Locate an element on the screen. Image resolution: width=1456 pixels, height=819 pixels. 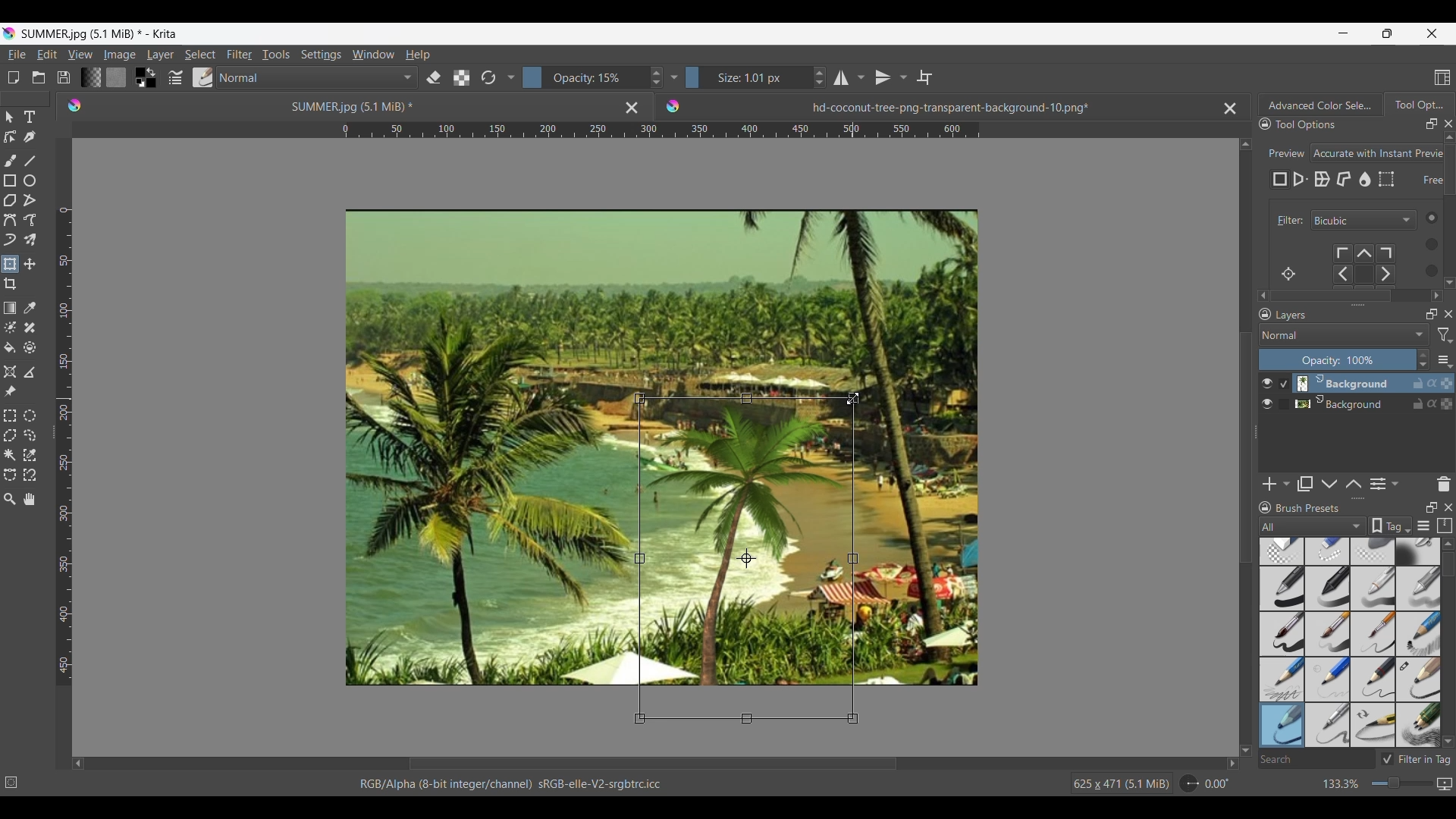
hd-coconut-tree-png-transparent-background-10.png* is located at coordinates (915, 103).